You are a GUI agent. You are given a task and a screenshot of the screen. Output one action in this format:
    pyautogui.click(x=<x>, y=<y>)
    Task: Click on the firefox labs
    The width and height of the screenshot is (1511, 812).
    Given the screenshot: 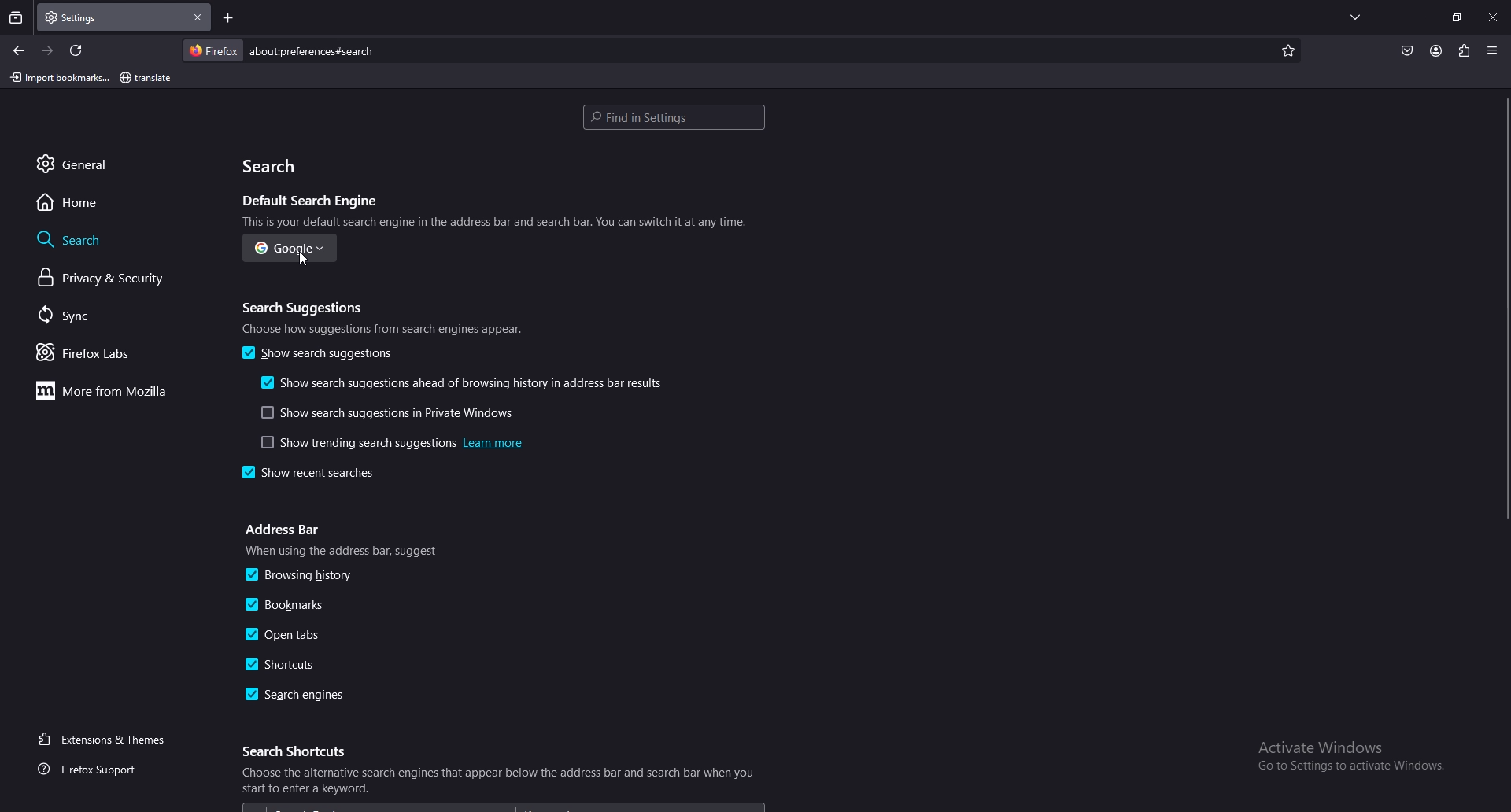 What is the action you would take?
    pyautogui.click(x=109, y=352)
    